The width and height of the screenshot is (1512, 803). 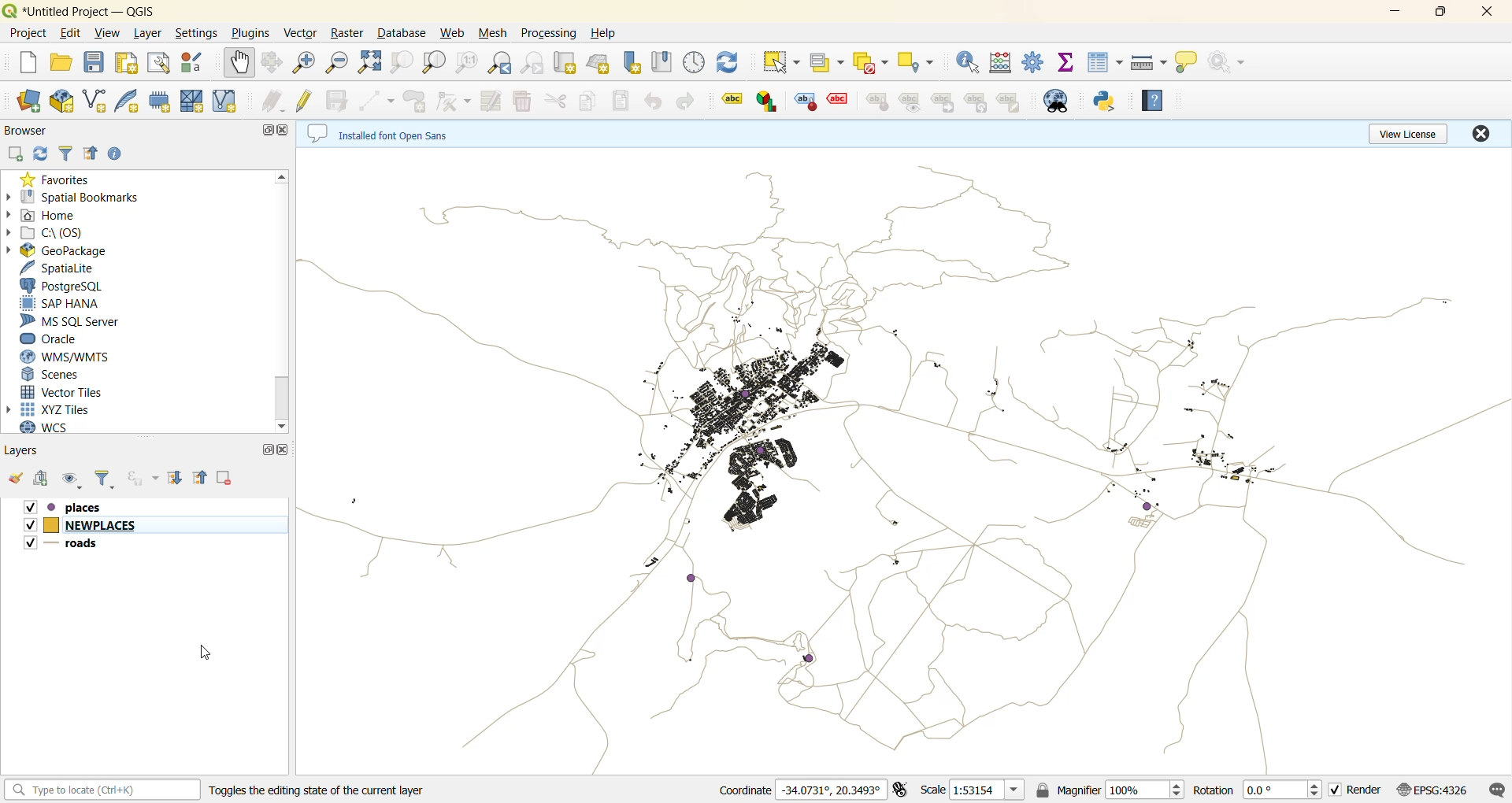 What do you see at coordinates (276, 102) in the screenshot?
I see `edits` at bounding box center [276, 102].